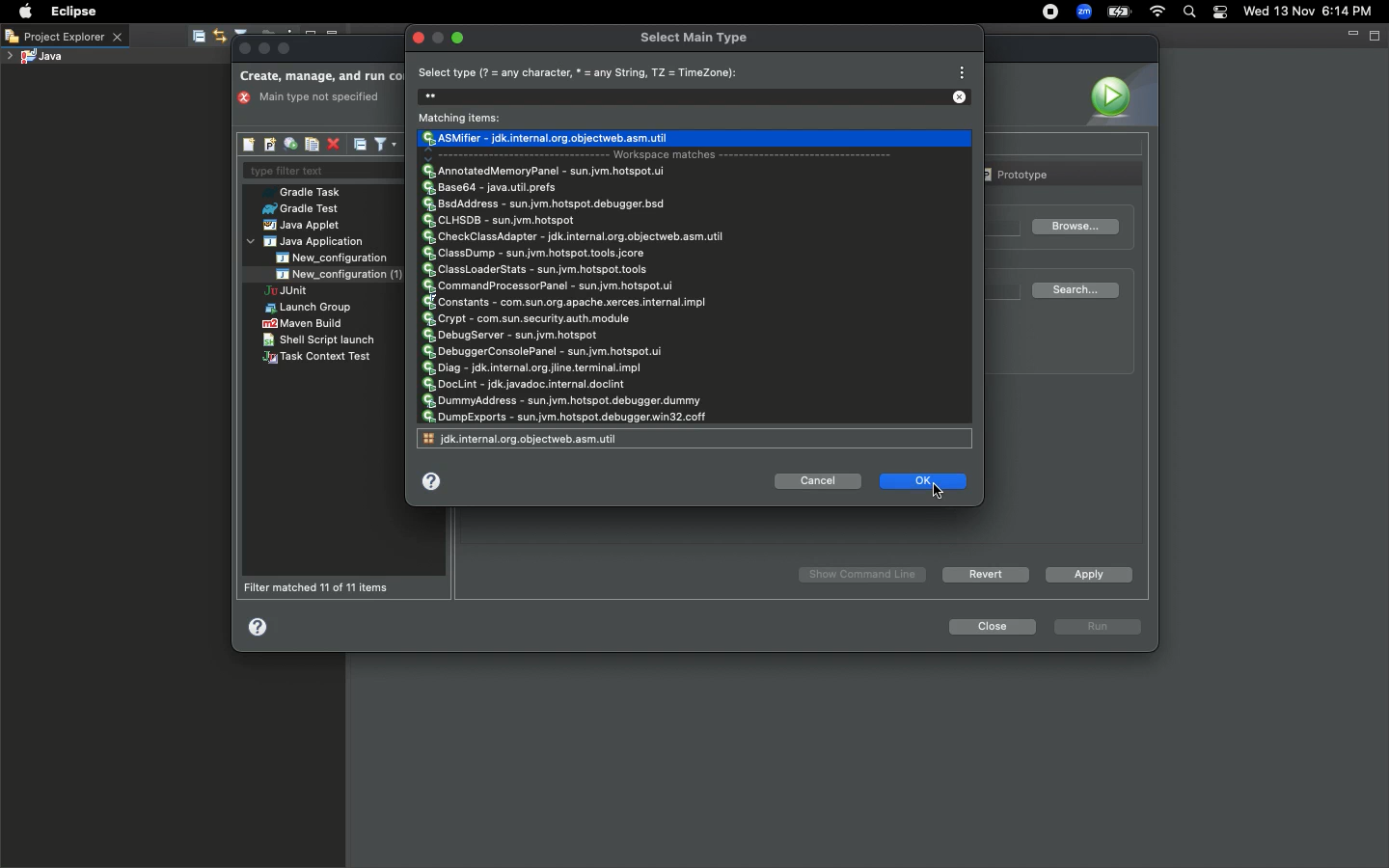 The image size is (1389, 868). What do you see at coordinates (304, 226) in the screenshot?
I see `Java applet` at bounding box center [304, 226].